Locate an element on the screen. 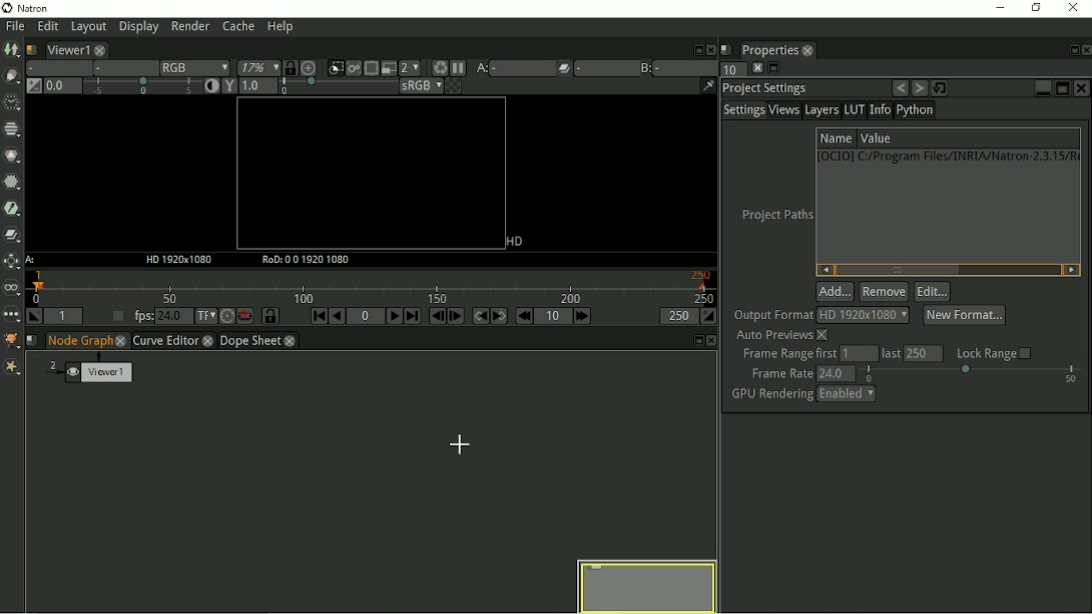 The width and height of the screenshot is (1092, 614). Views is located at coordinates (13, 288).